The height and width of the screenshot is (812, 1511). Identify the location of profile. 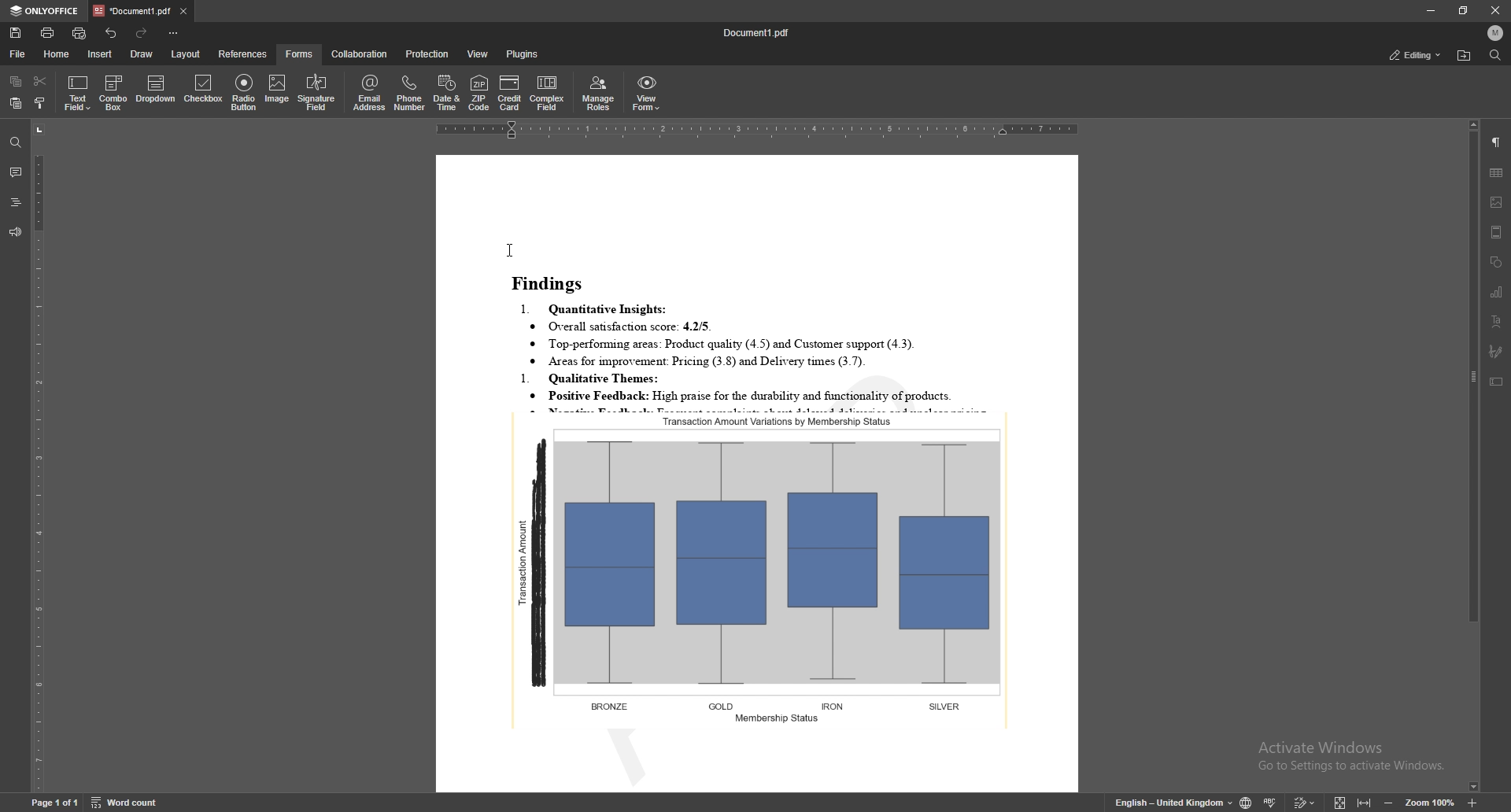
(1495, 33).